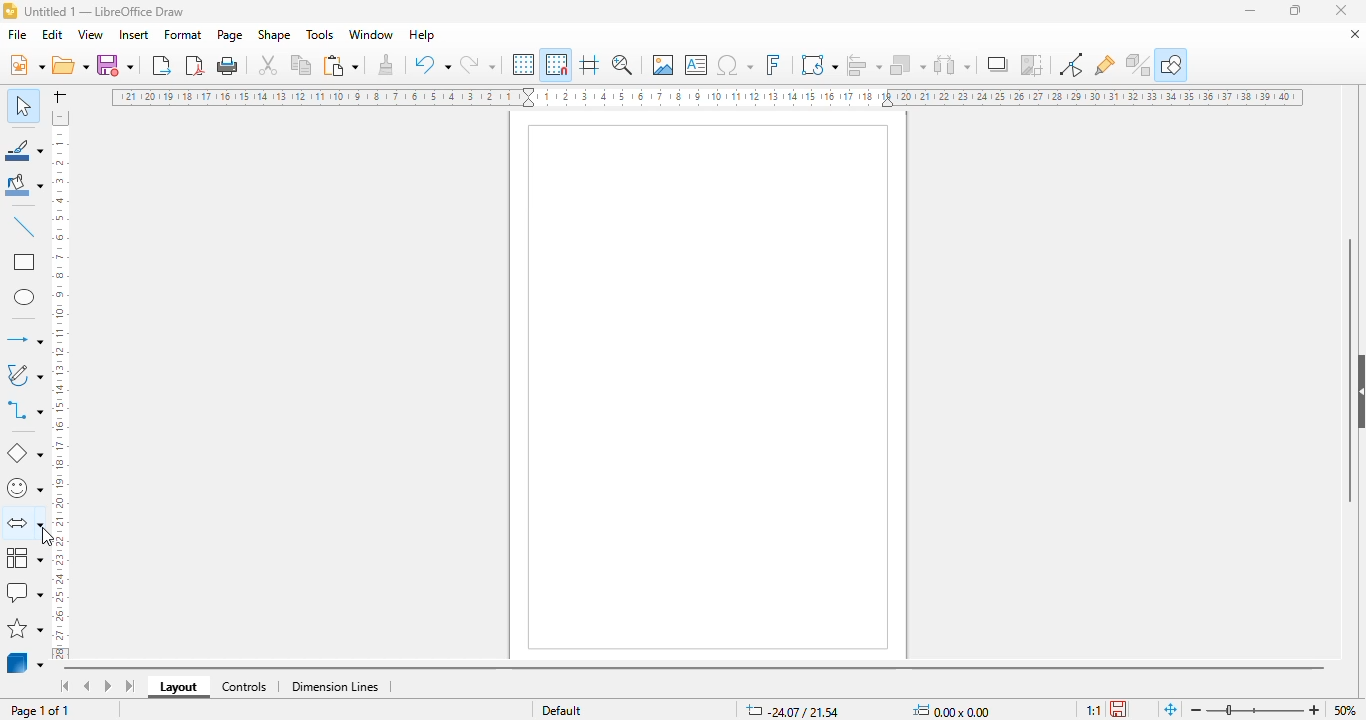 The width and height of the screenshot is (1366, 720). Describe the element at coordinates (1345, 710) in the screenshot. I see `50%` at that location.